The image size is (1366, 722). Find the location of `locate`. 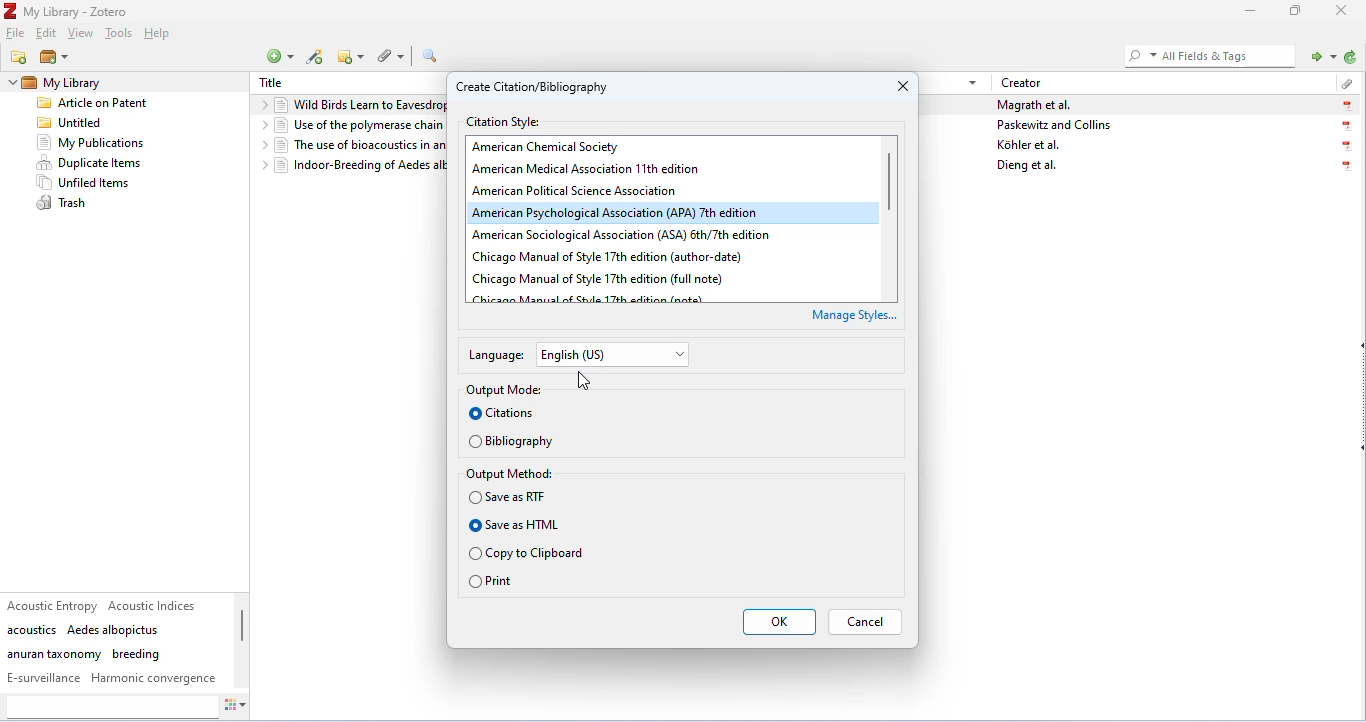

locate is located at coordinates (1319, 55).